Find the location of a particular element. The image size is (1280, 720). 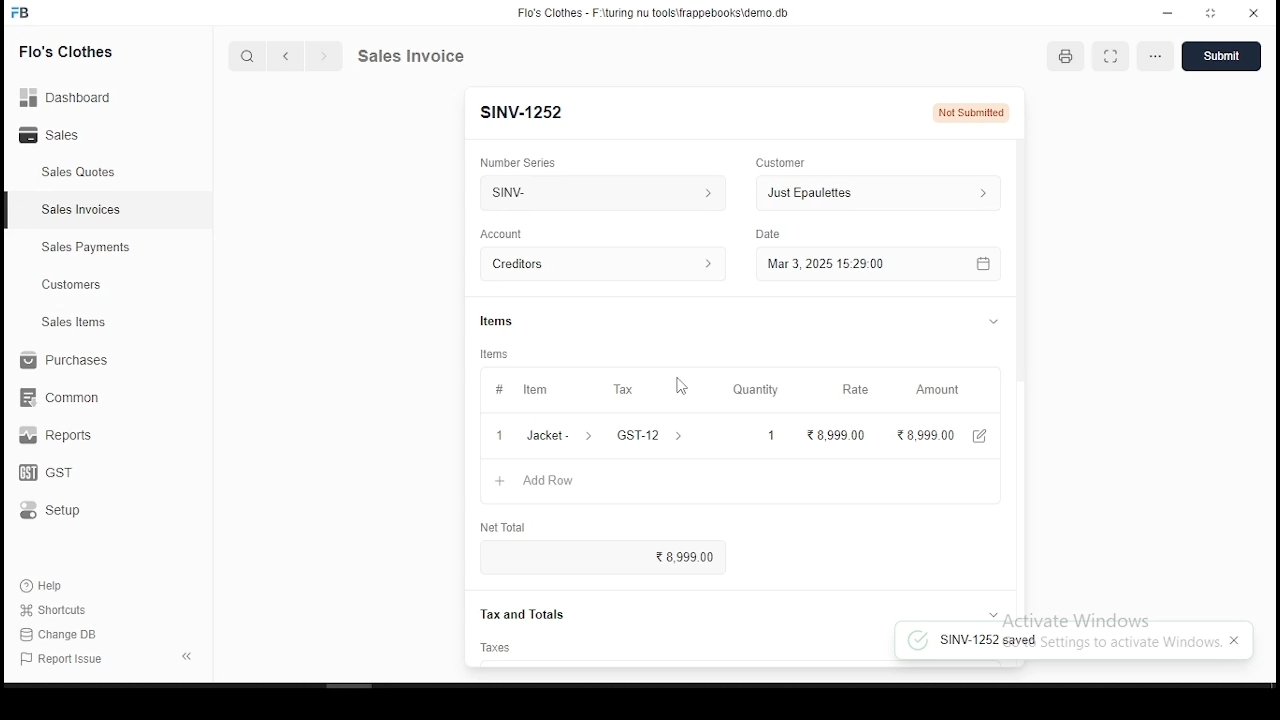

amount is located at coordinates (942, 390).